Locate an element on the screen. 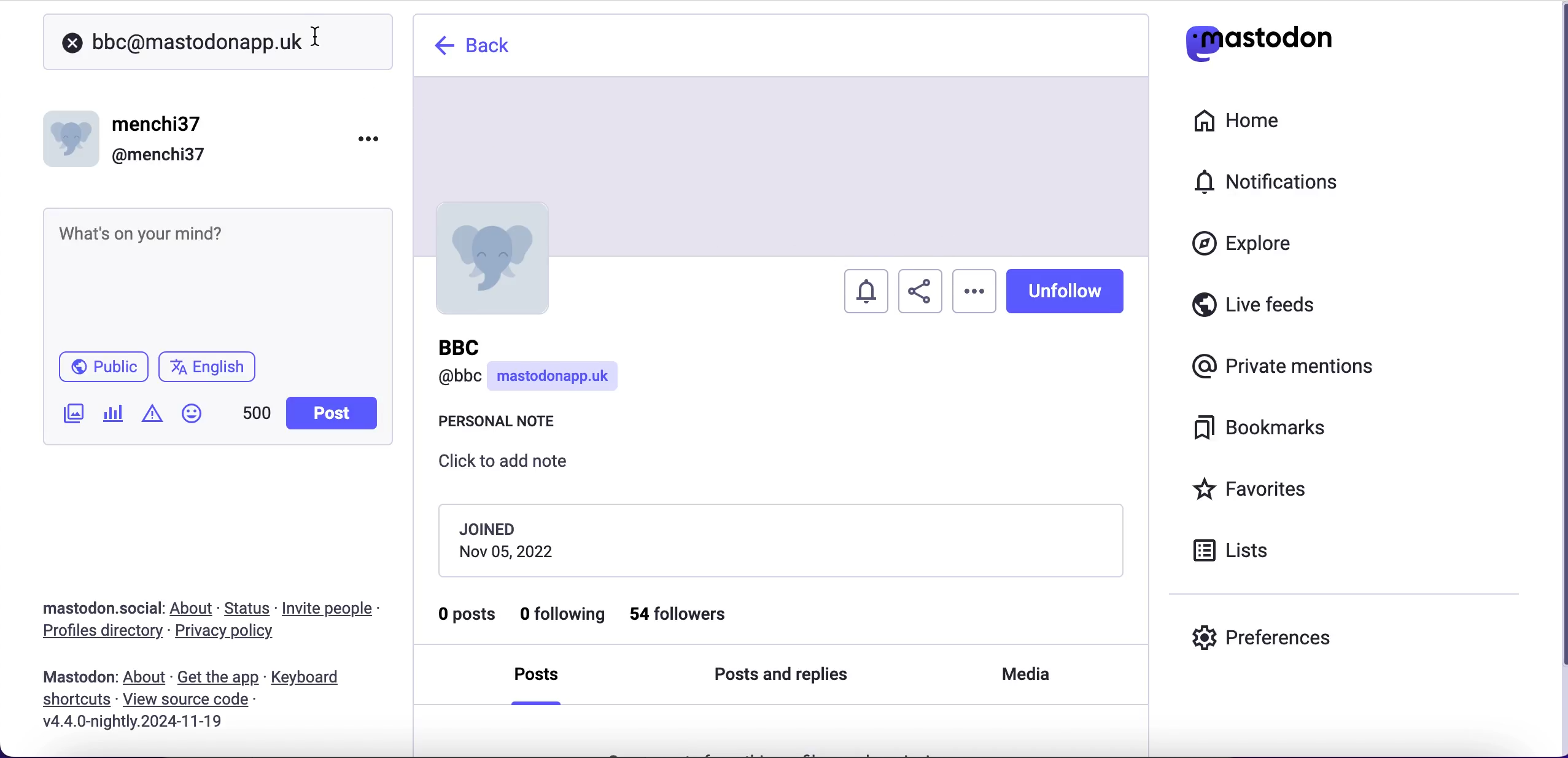 This screenshot has height=758, width=1568. user name is located at coordinates (537, 368).